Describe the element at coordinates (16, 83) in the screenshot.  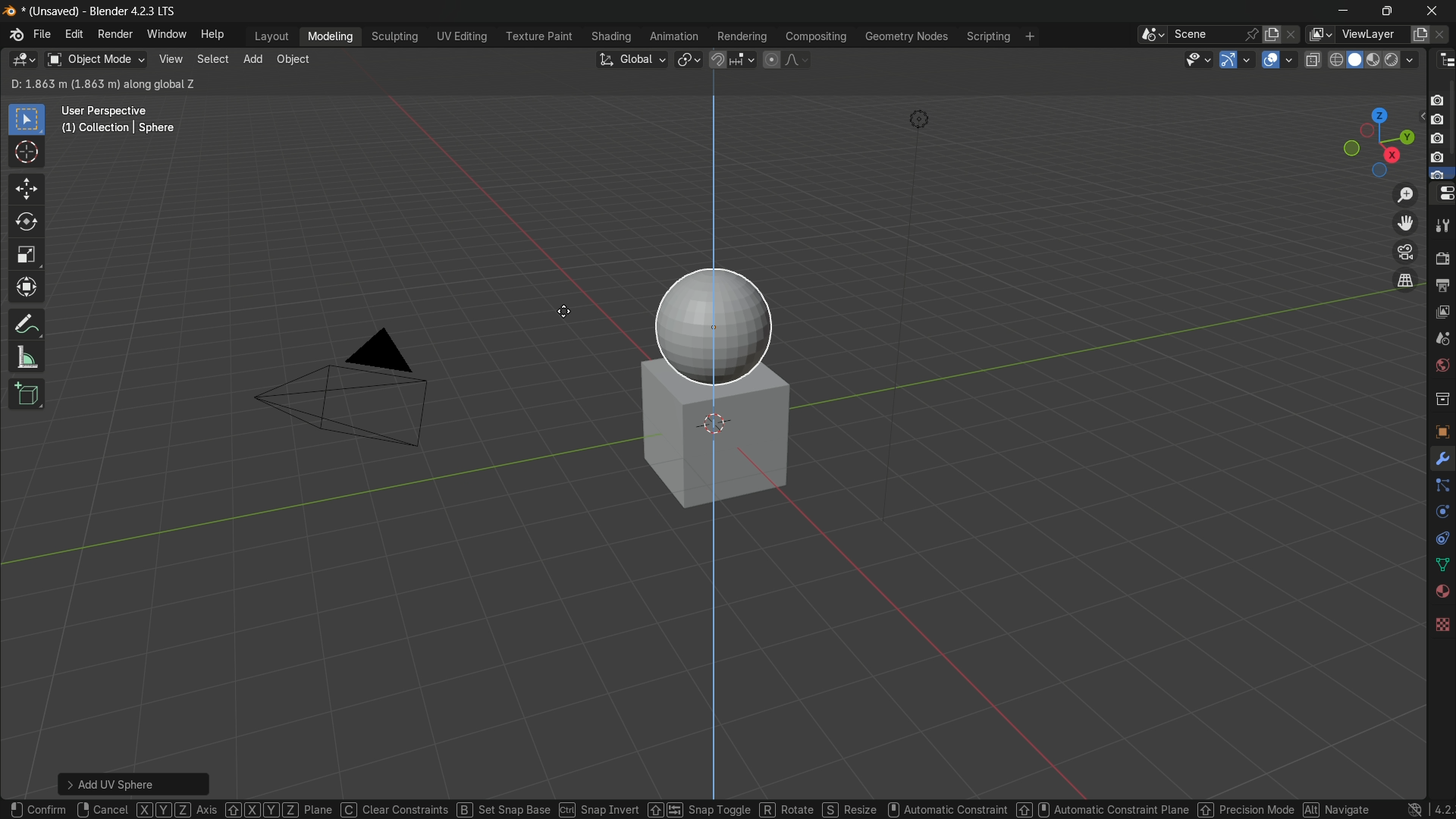
I see `select new selection` at that location.